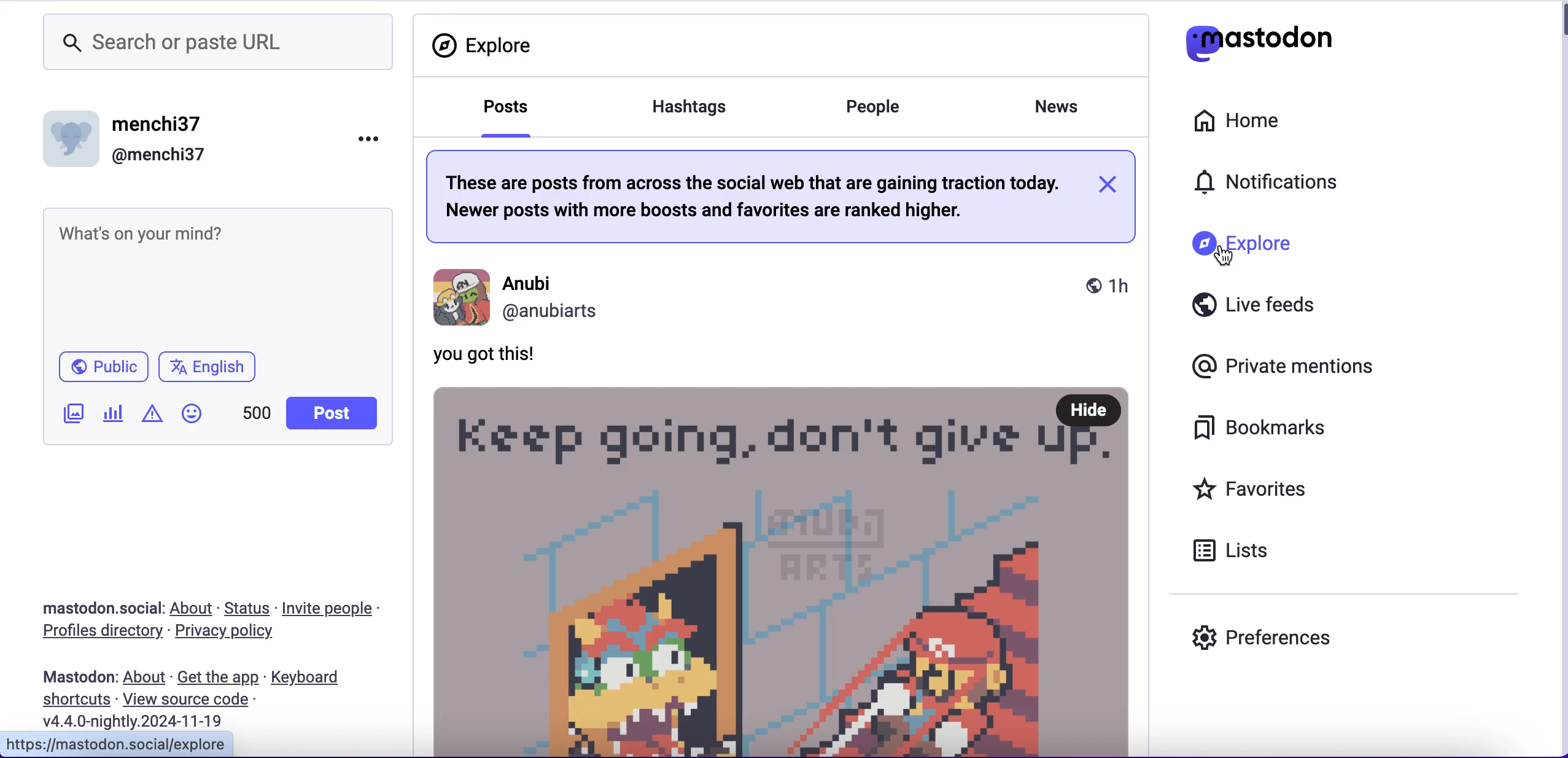 This screenshot has width=1568, height=758. Describe the element at coordinates (1249, 549) in the screenshot. I see `lists` at that location.